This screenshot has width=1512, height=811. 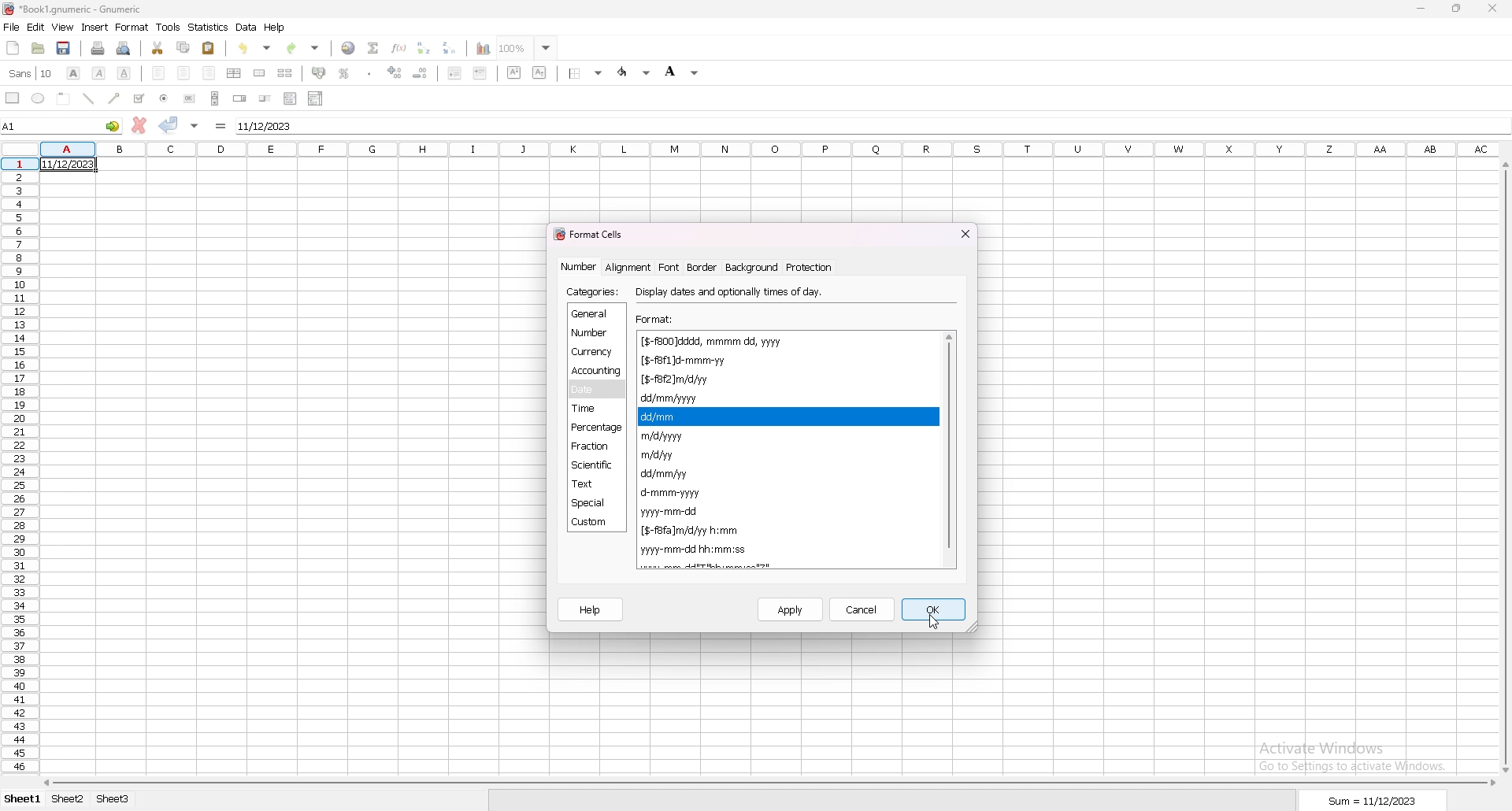 What do you see at coordinates (95, 28) in the screenshot?
I see `insert` at bounding box center [95, 28].